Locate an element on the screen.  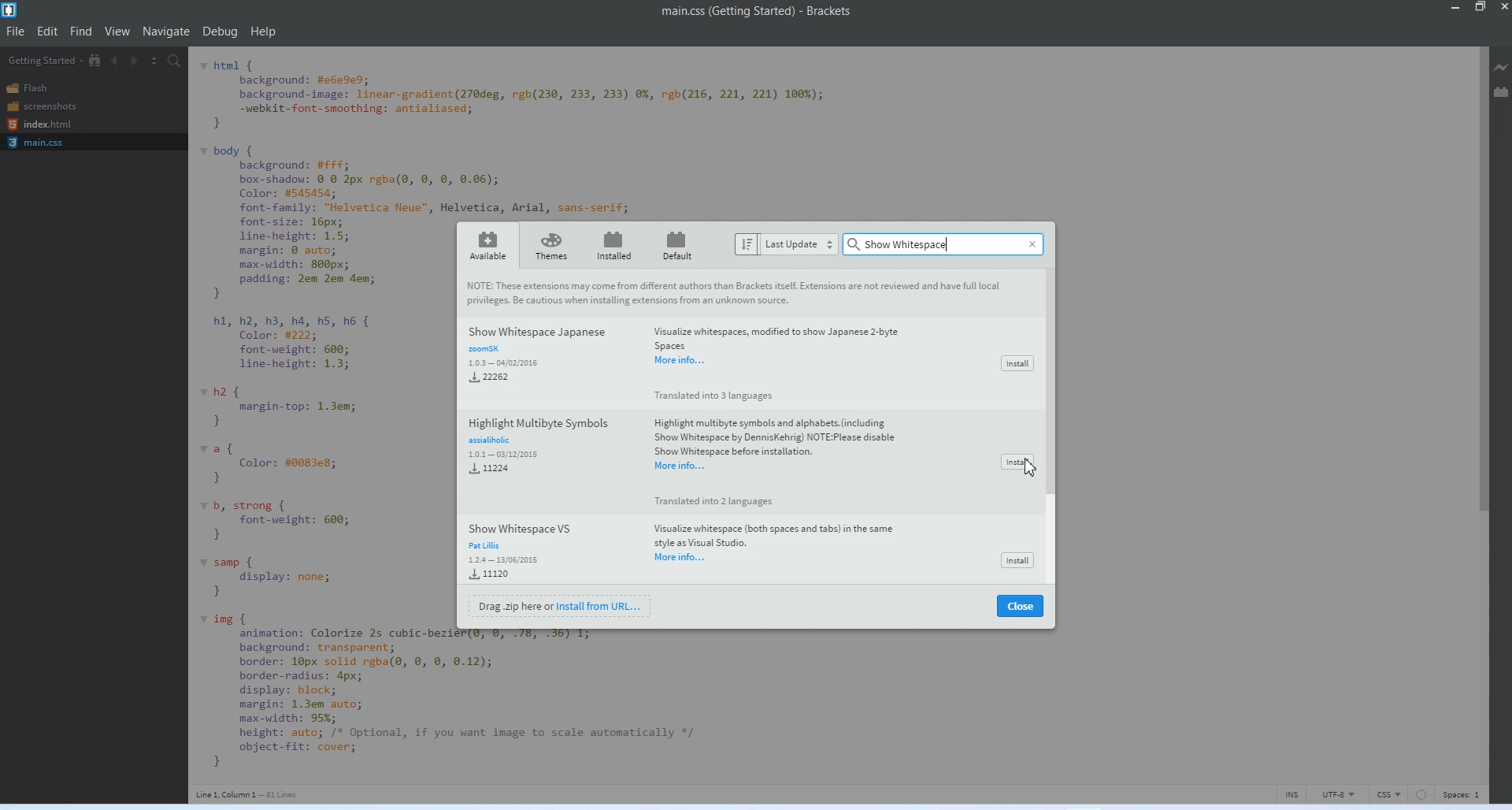
Debug is located at coordinates (221, 33).